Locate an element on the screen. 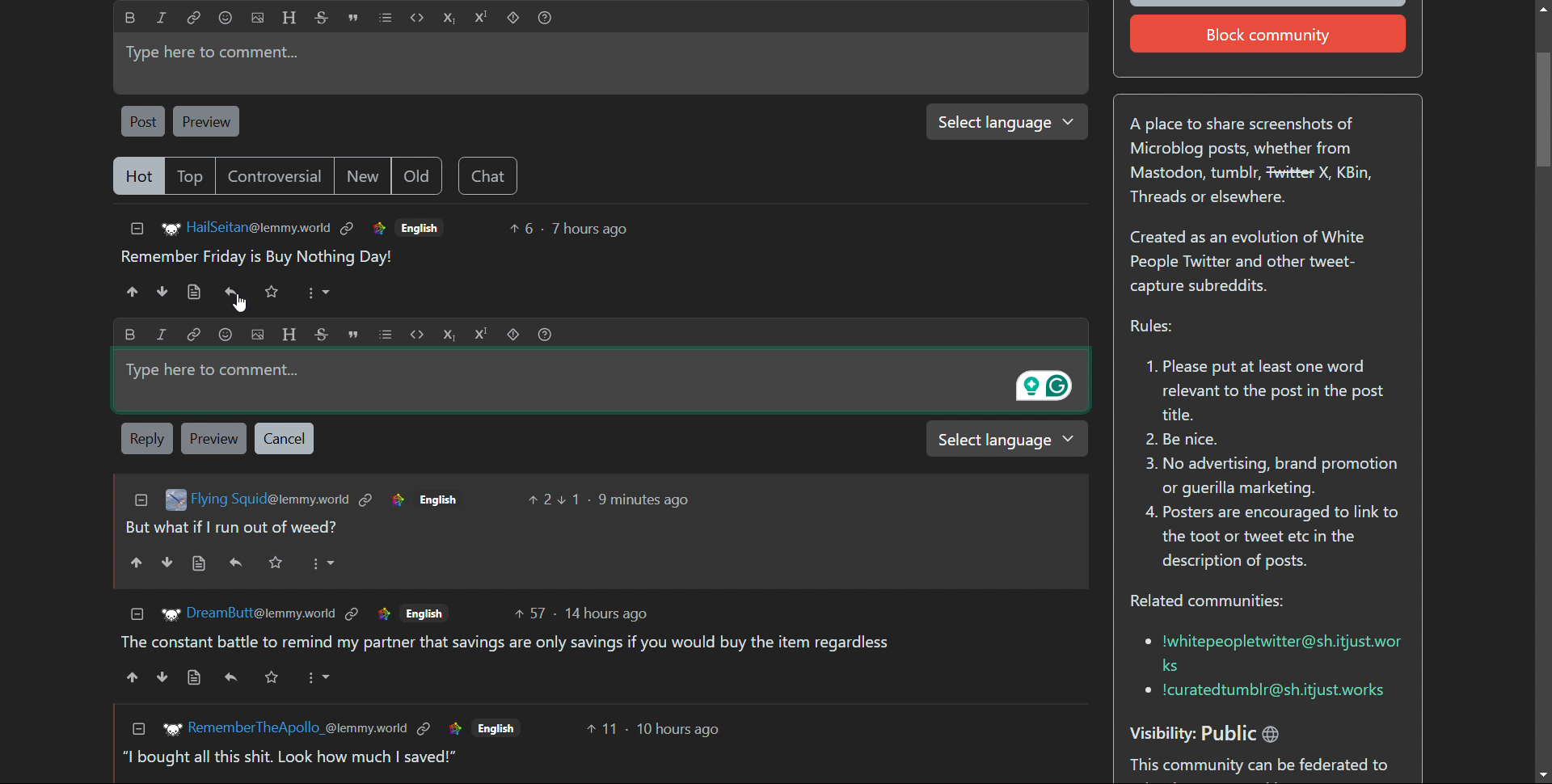  downvote is located at coordinates (168, 563).